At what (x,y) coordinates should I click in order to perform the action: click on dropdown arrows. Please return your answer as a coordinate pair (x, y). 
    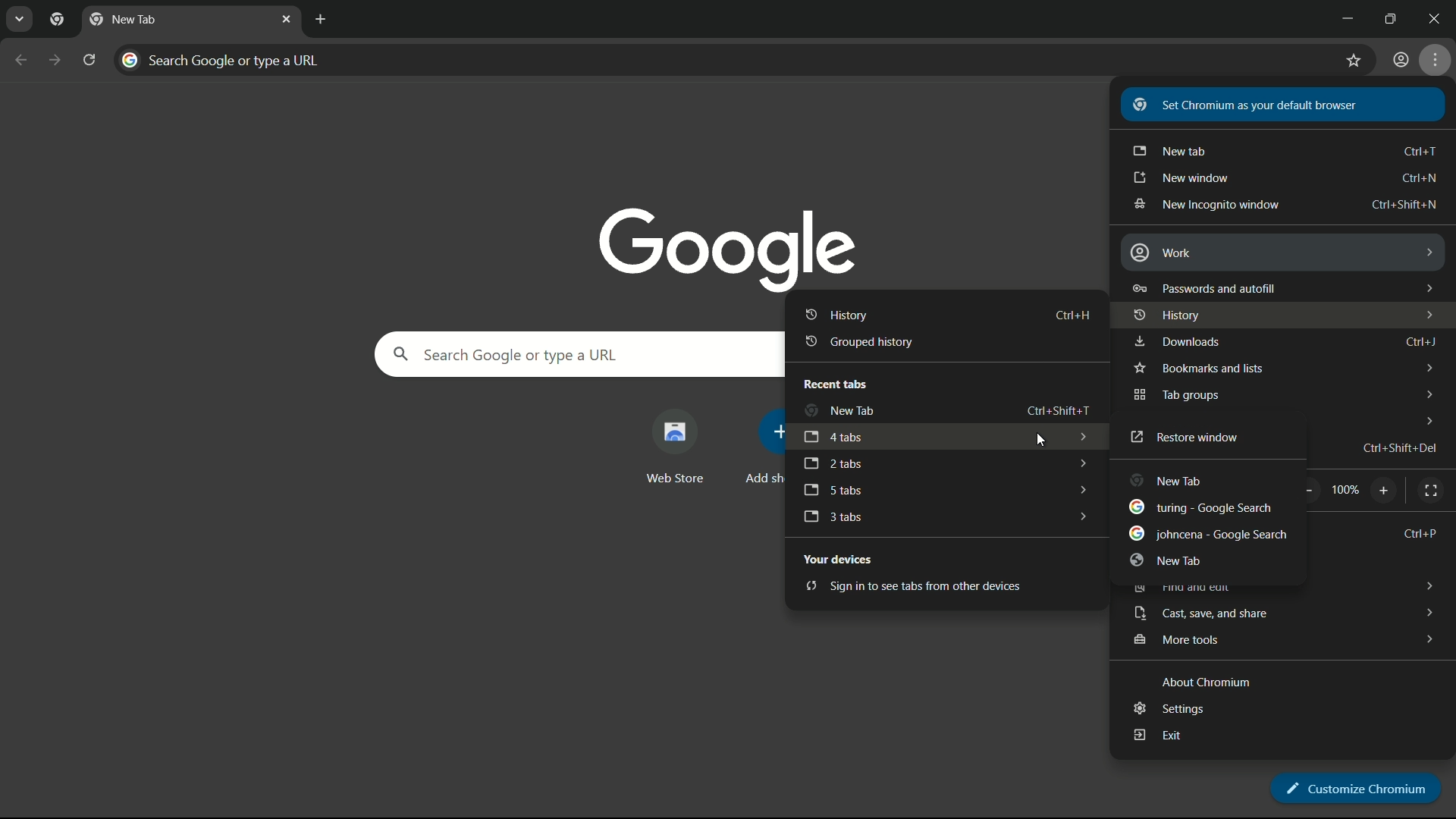
    Looking at the image, I should click on (1426, 394).